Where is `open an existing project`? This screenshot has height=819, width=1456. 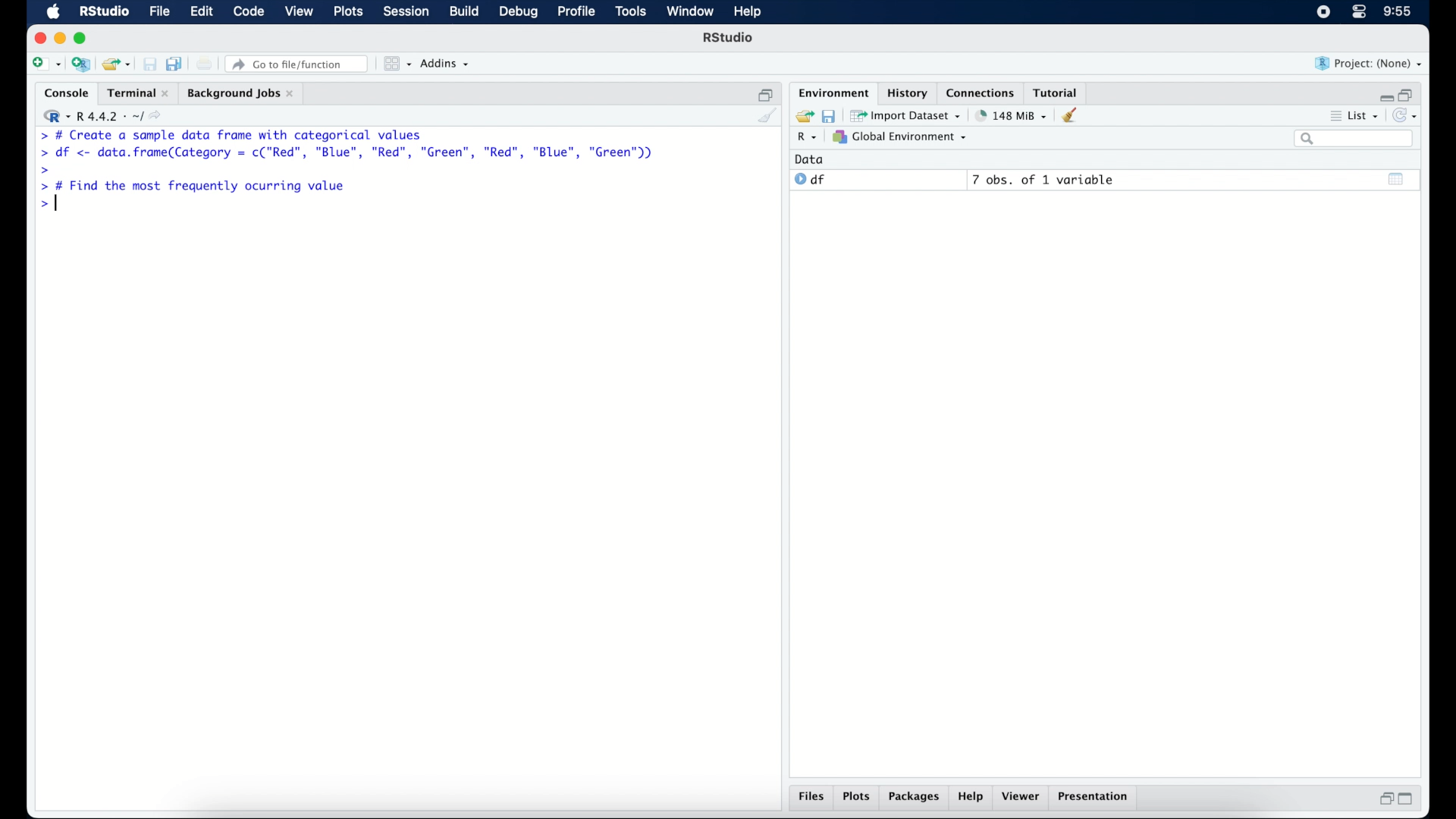
open an existing project is located at coordinates (117, 64).